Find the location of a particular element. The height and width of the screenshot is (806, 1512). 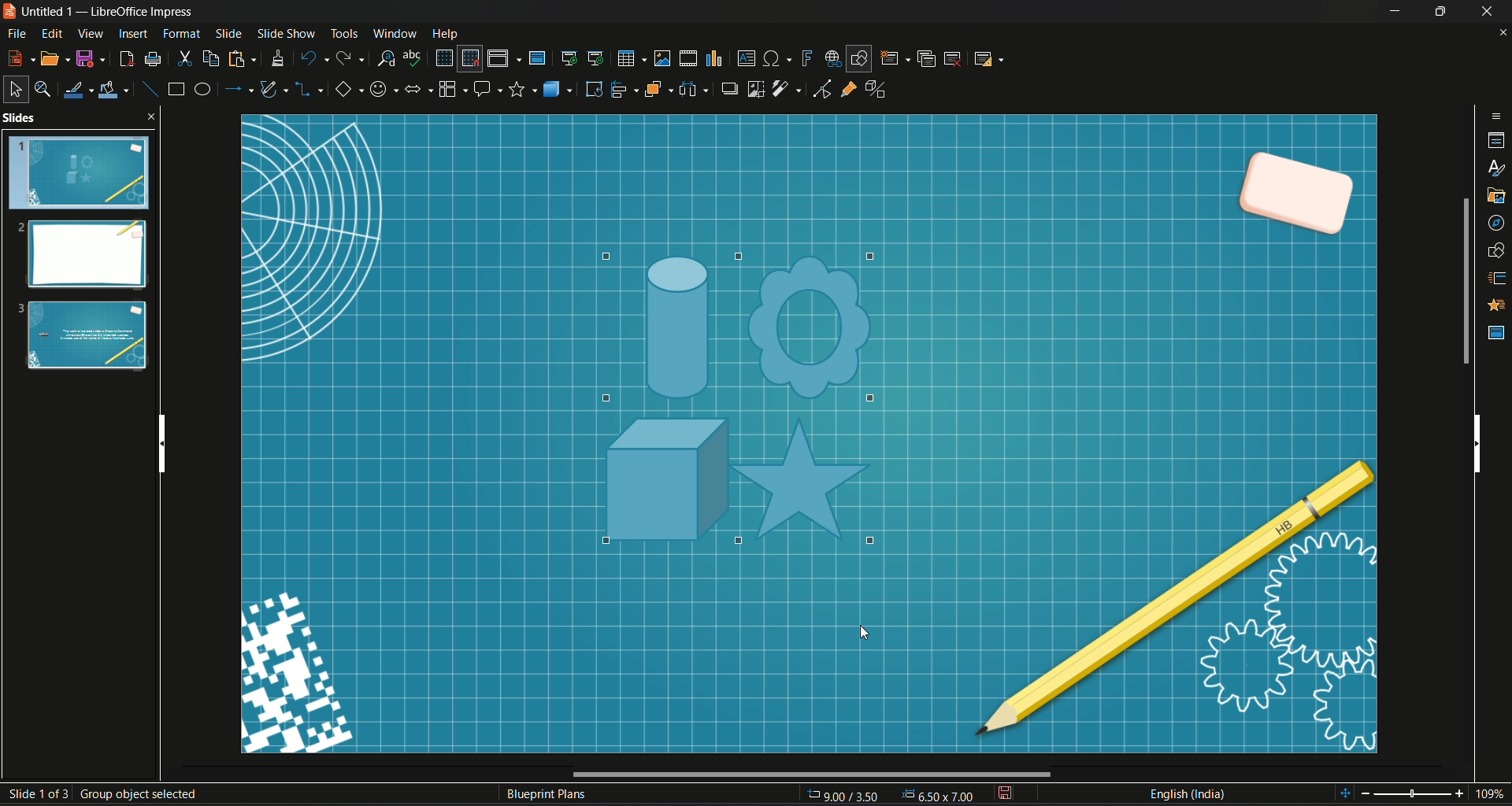

delete slide is located at coordinates (953, 58).